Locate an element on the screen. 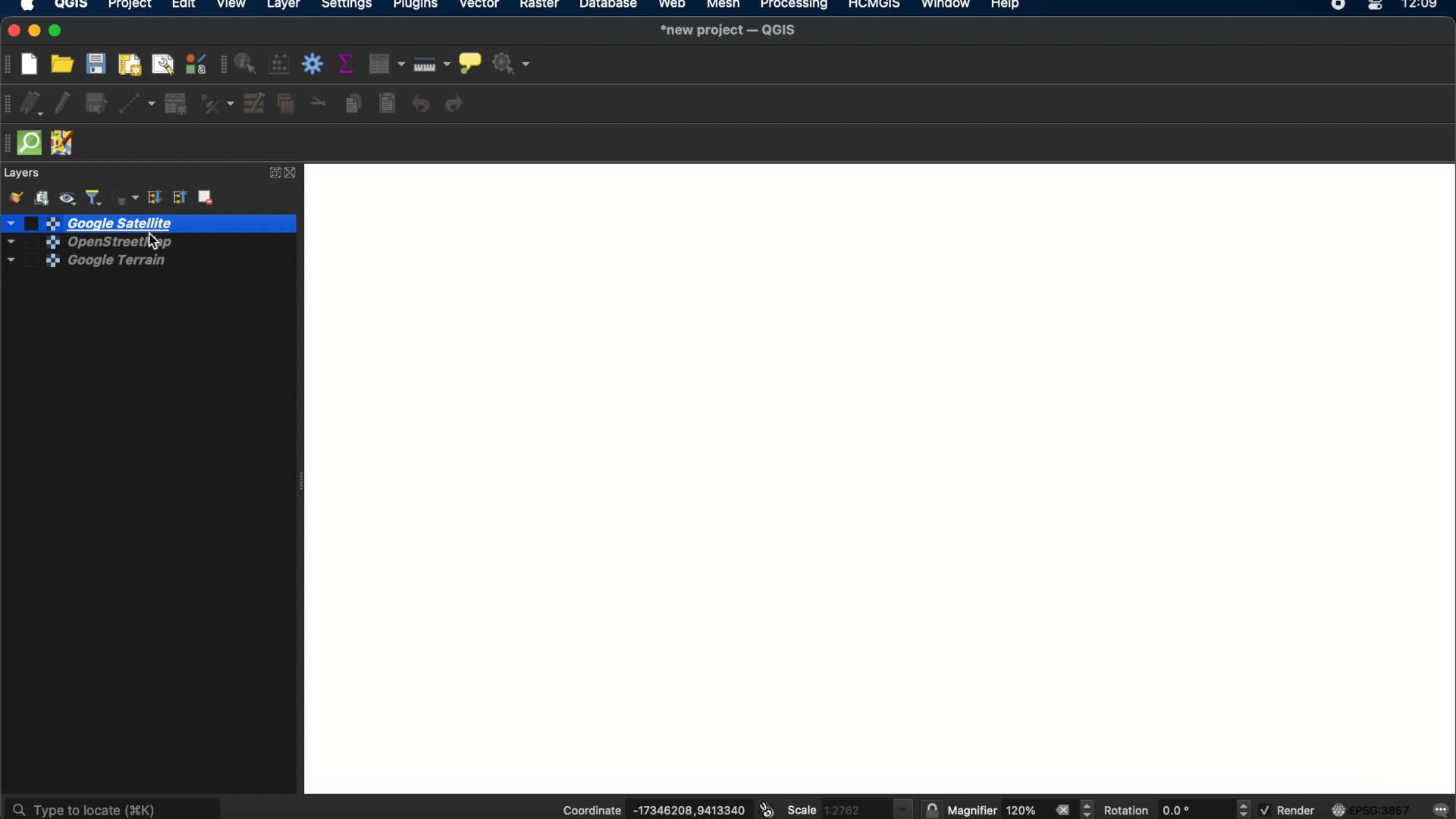  openstreet map is located at coordinates (72, 241).